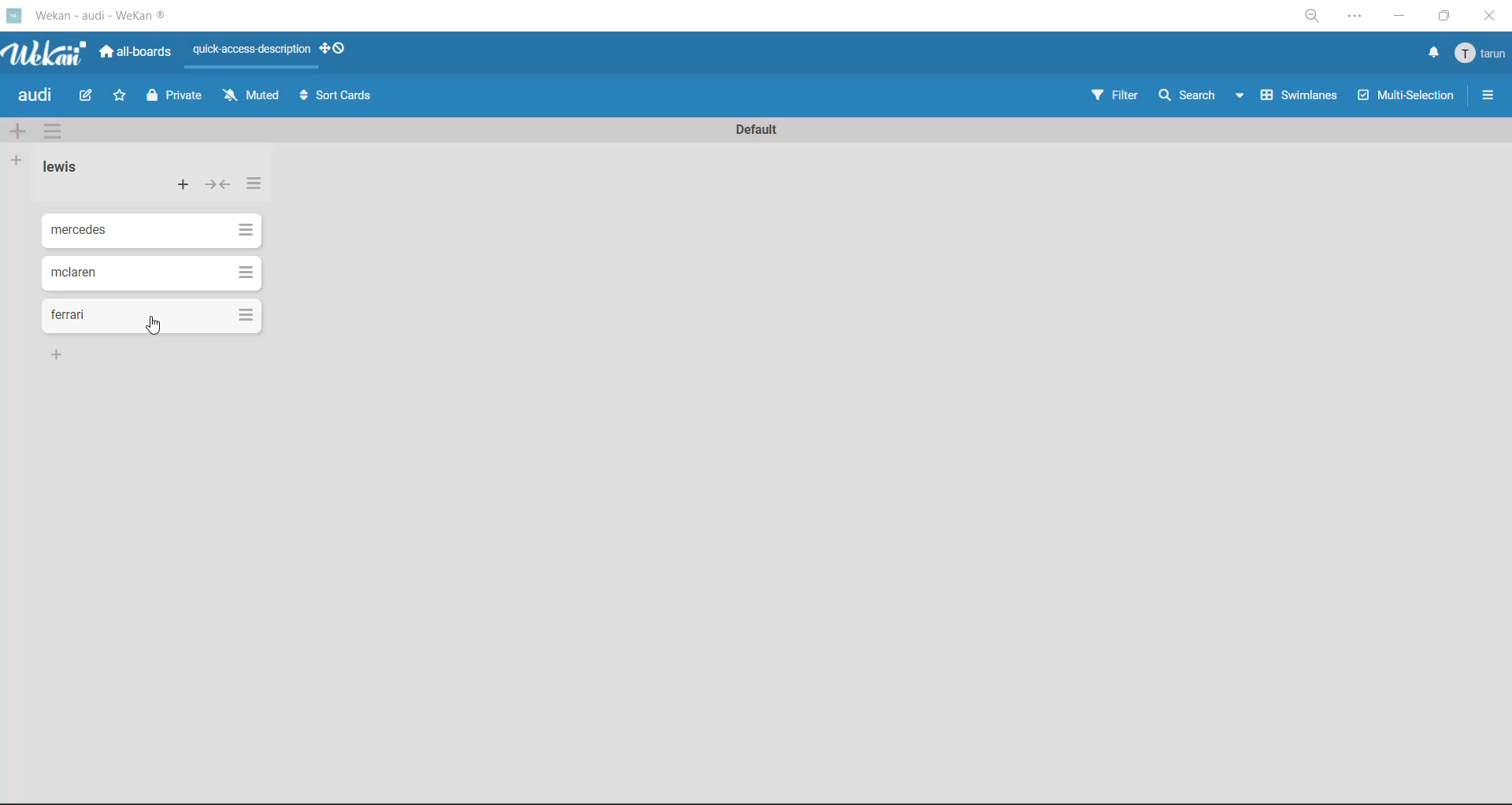 The width and height of the screenshot is (1512, 805). What do you see at coordinates (146, 272) in the screenshot?
I see `cards` at bounding box center [146, 272].